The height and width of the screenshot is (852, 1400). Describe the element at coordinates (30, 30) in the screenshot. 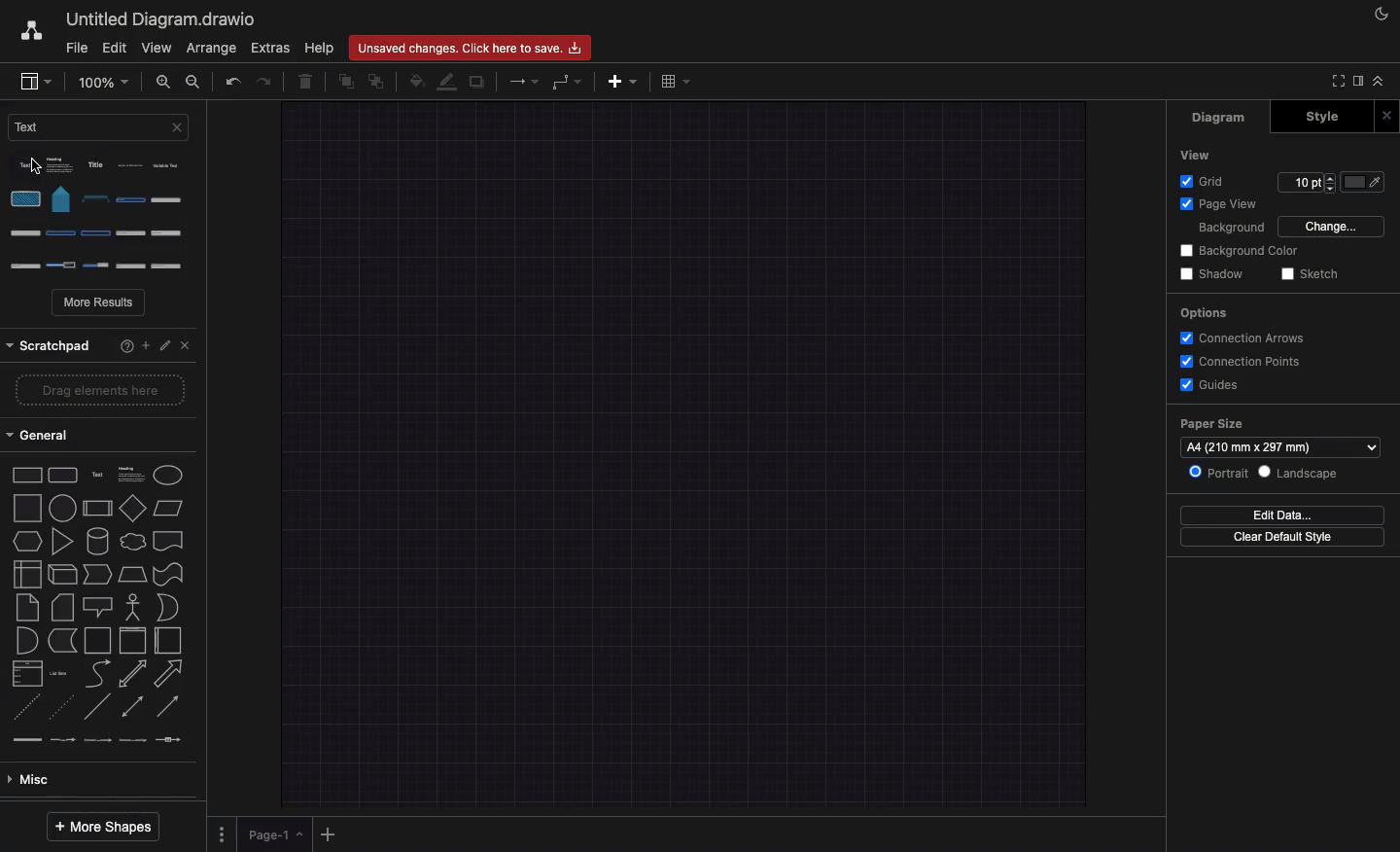

I see `Draw.io` at that location.